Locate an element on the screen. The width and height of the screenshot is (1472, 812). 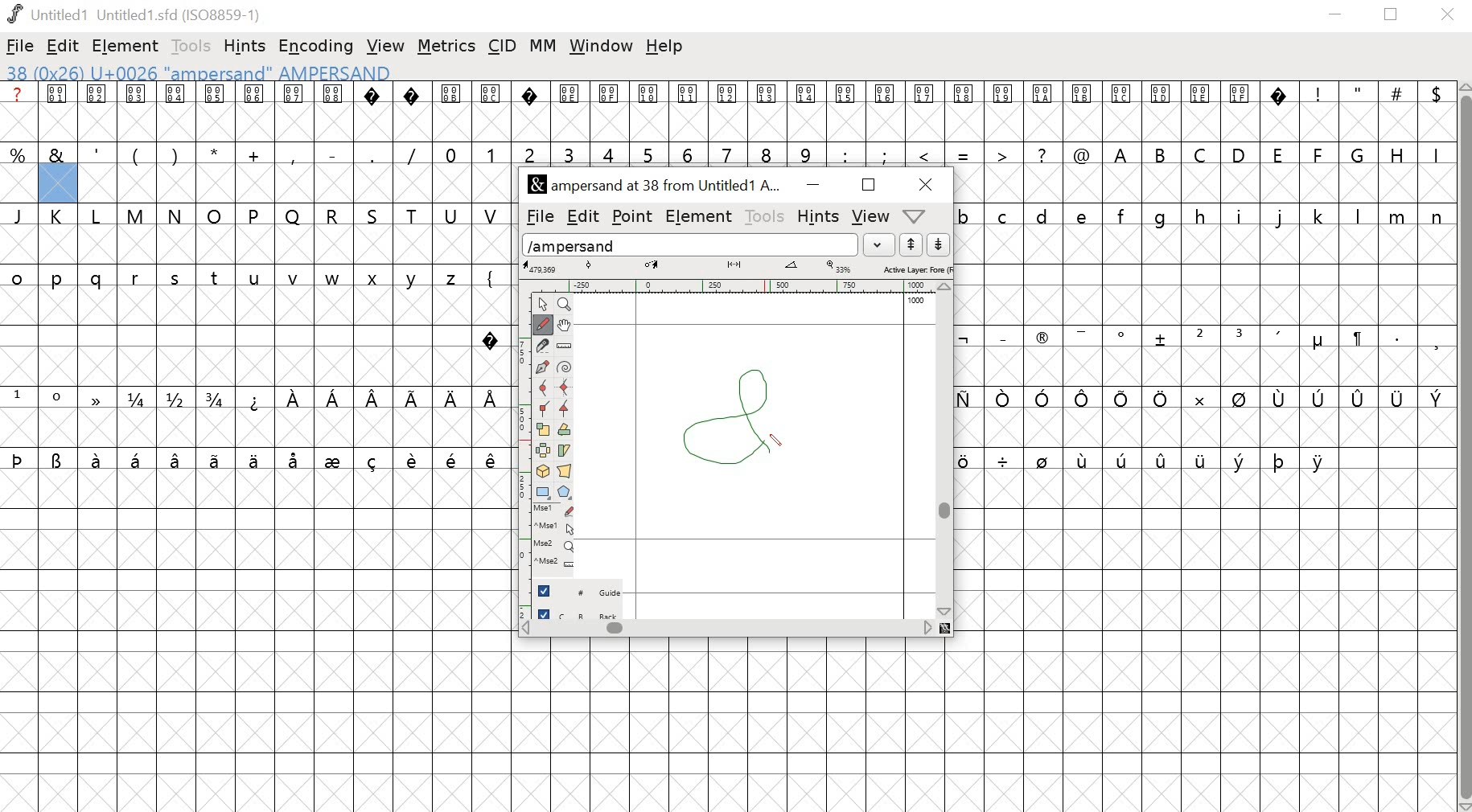
001E is located at coordinates (1200, 110).